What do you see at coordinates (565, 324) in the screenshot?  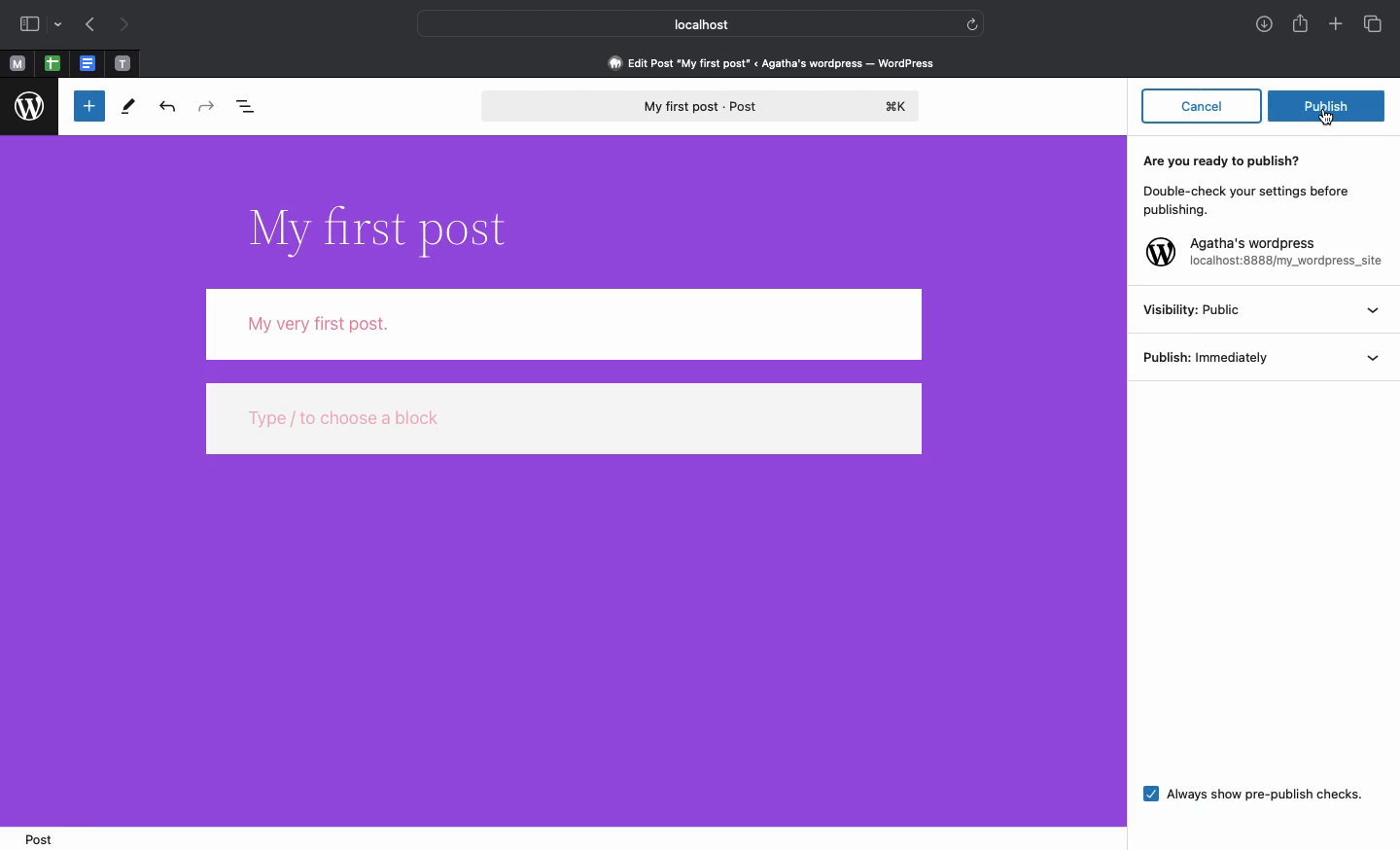 I see `Body` at bounding box center [565, 324].